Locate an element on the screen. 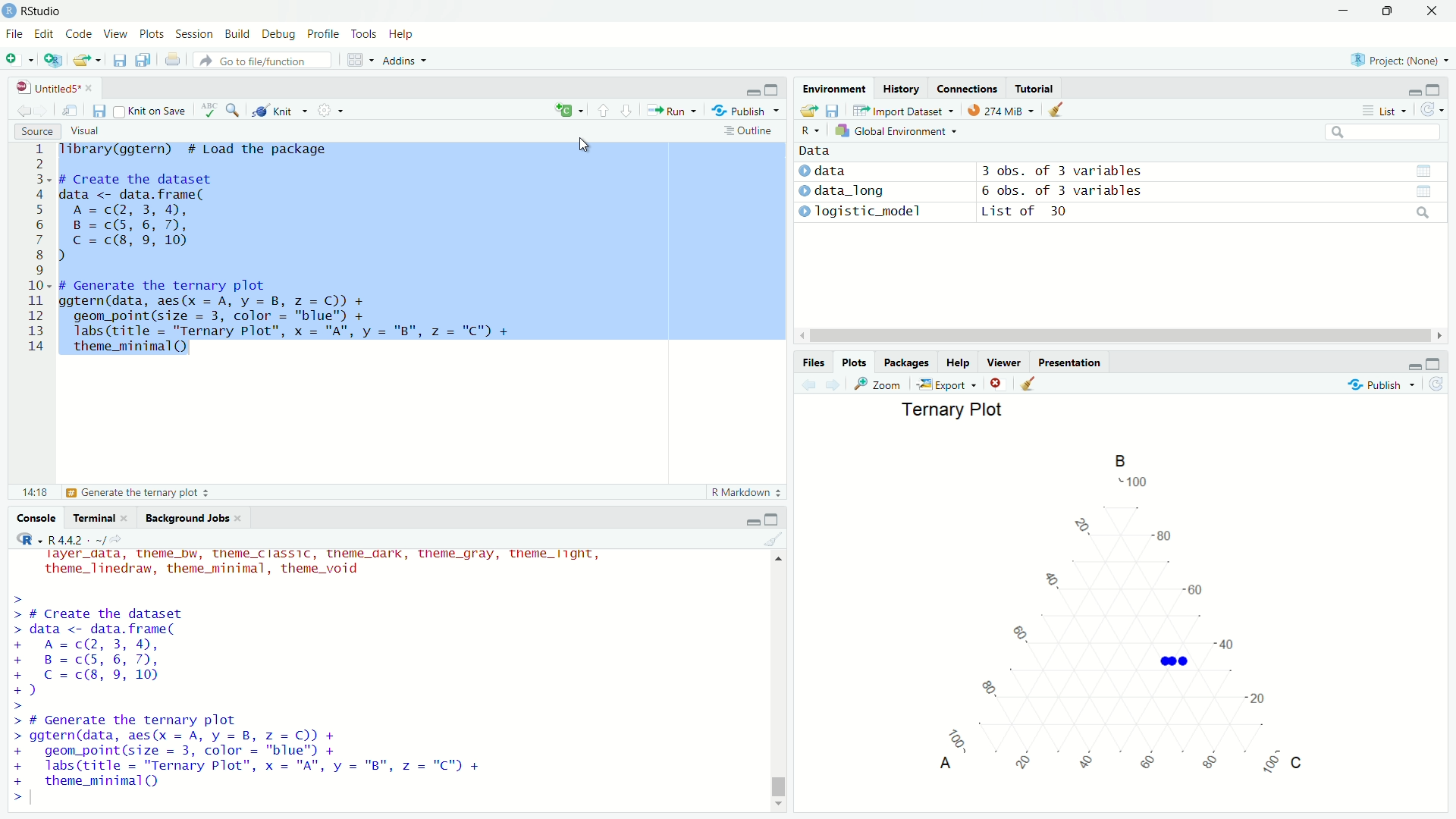  settings is located at coordinates (336, 113).